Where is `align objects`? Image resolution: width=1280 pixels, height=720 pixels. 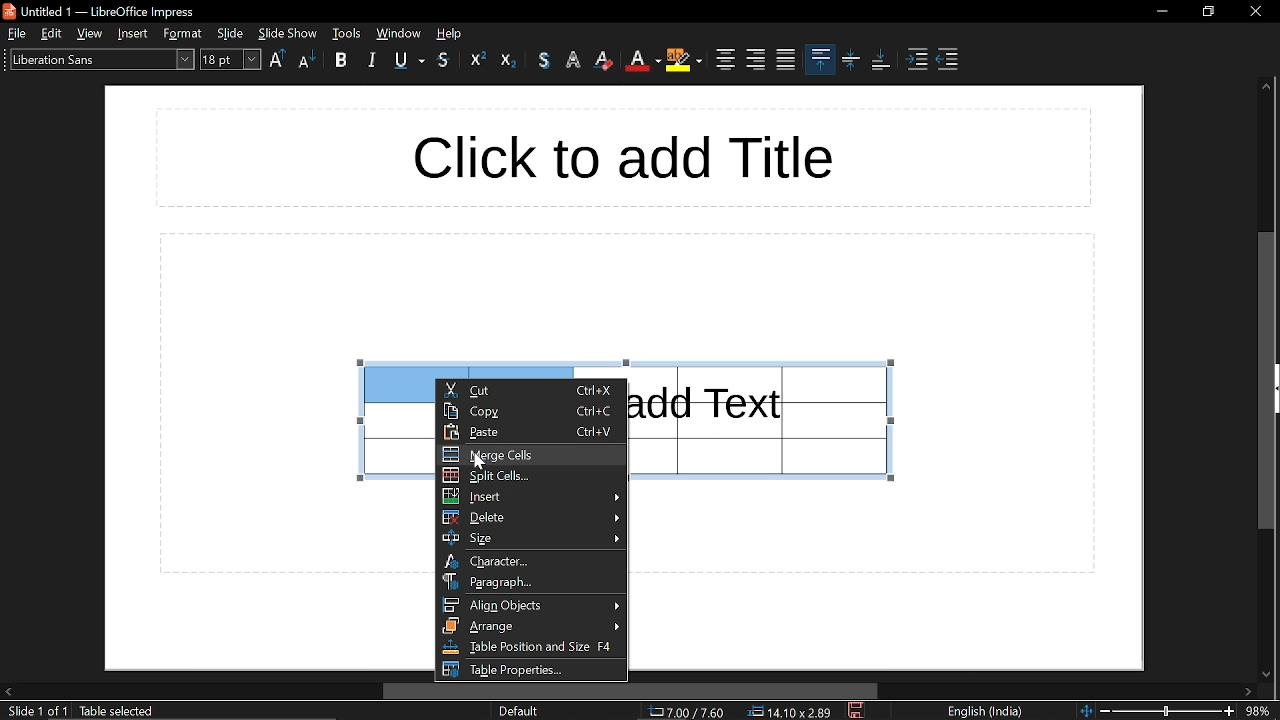 align objects is located at coordinates (532, 606).